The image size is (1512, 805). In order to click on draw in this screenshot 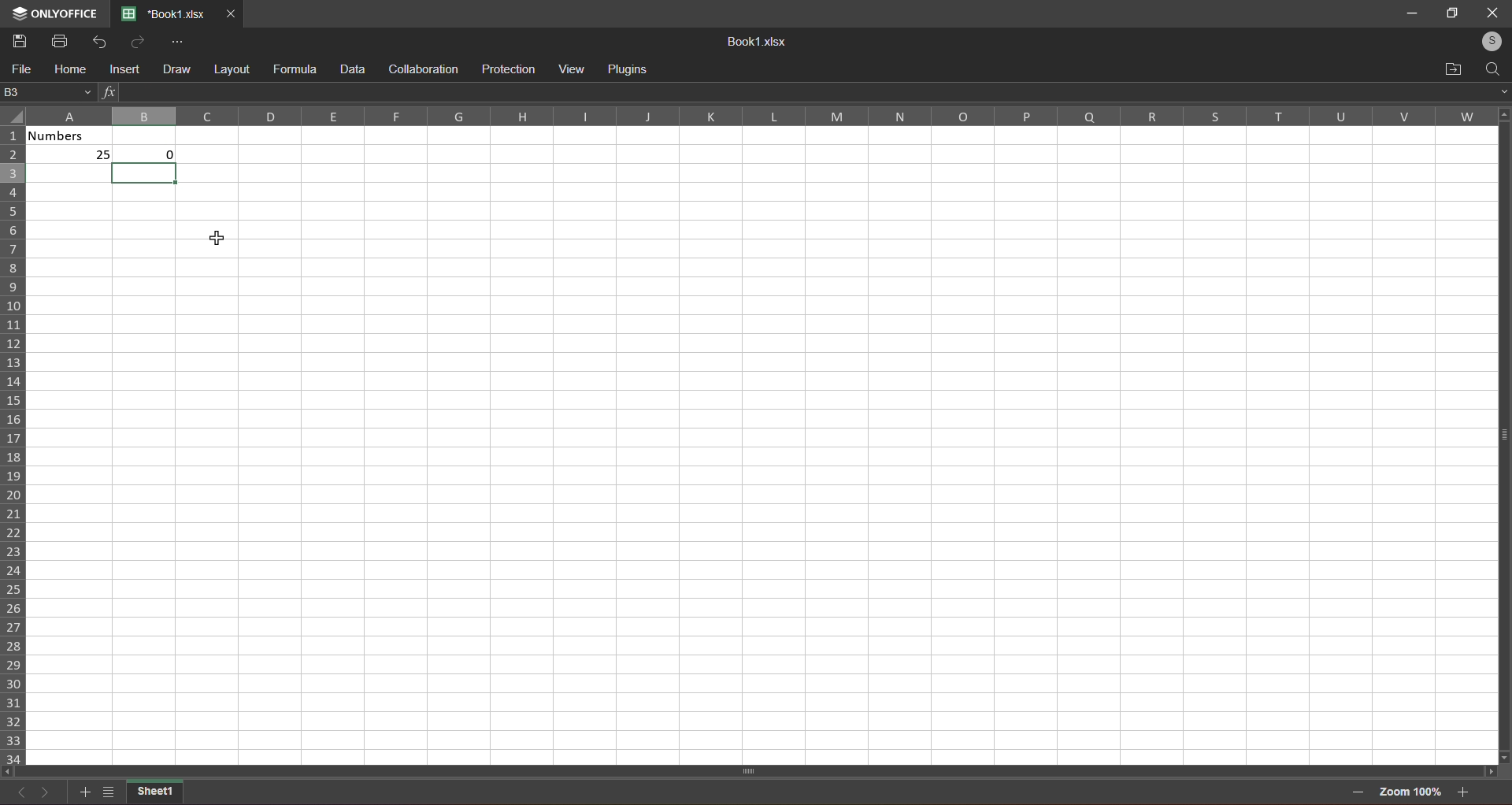, I will do `click(173, 68)`.